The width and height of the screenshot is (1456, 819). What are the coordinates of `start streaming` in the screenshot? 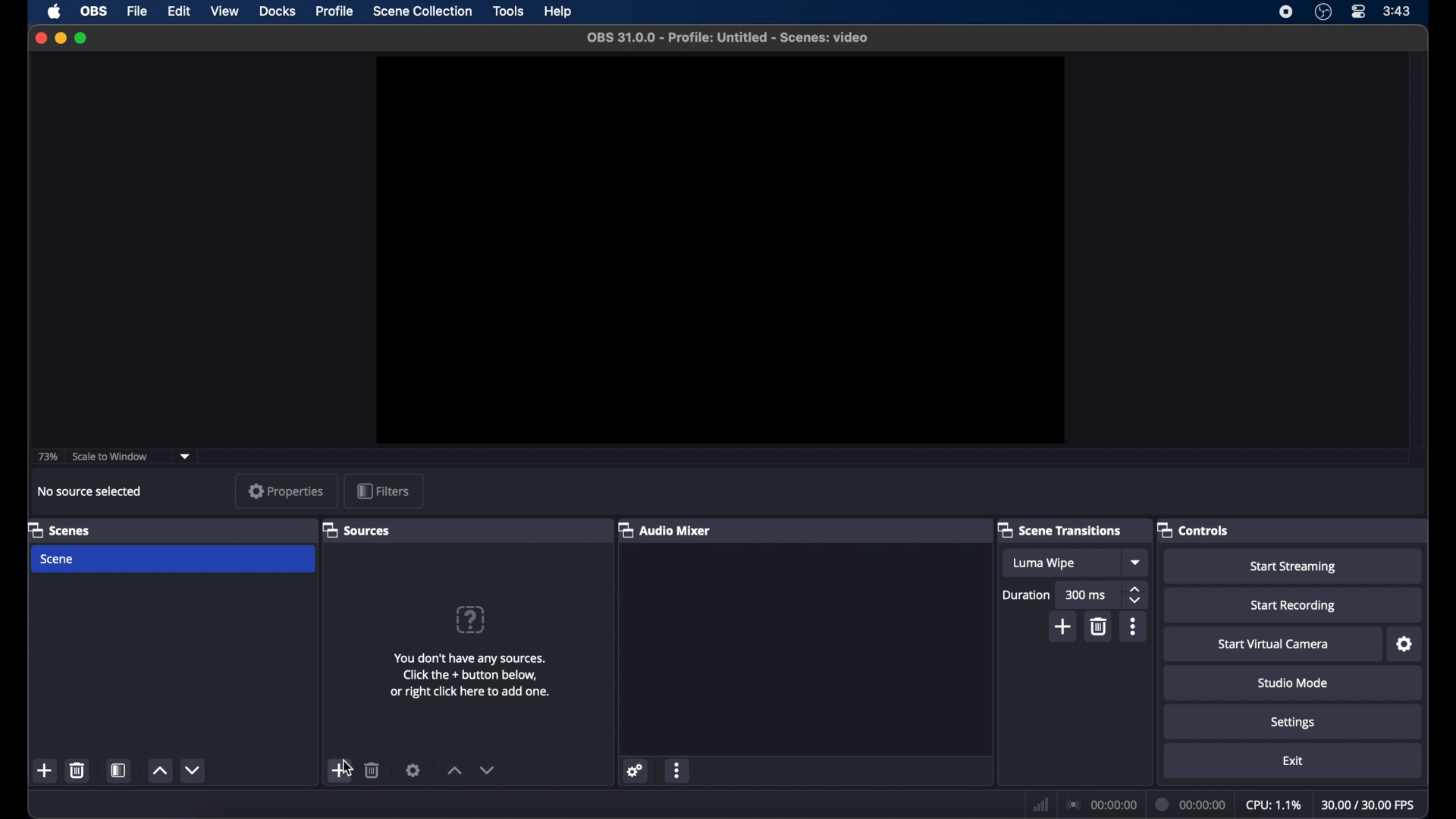 It's located at (1294, 567).